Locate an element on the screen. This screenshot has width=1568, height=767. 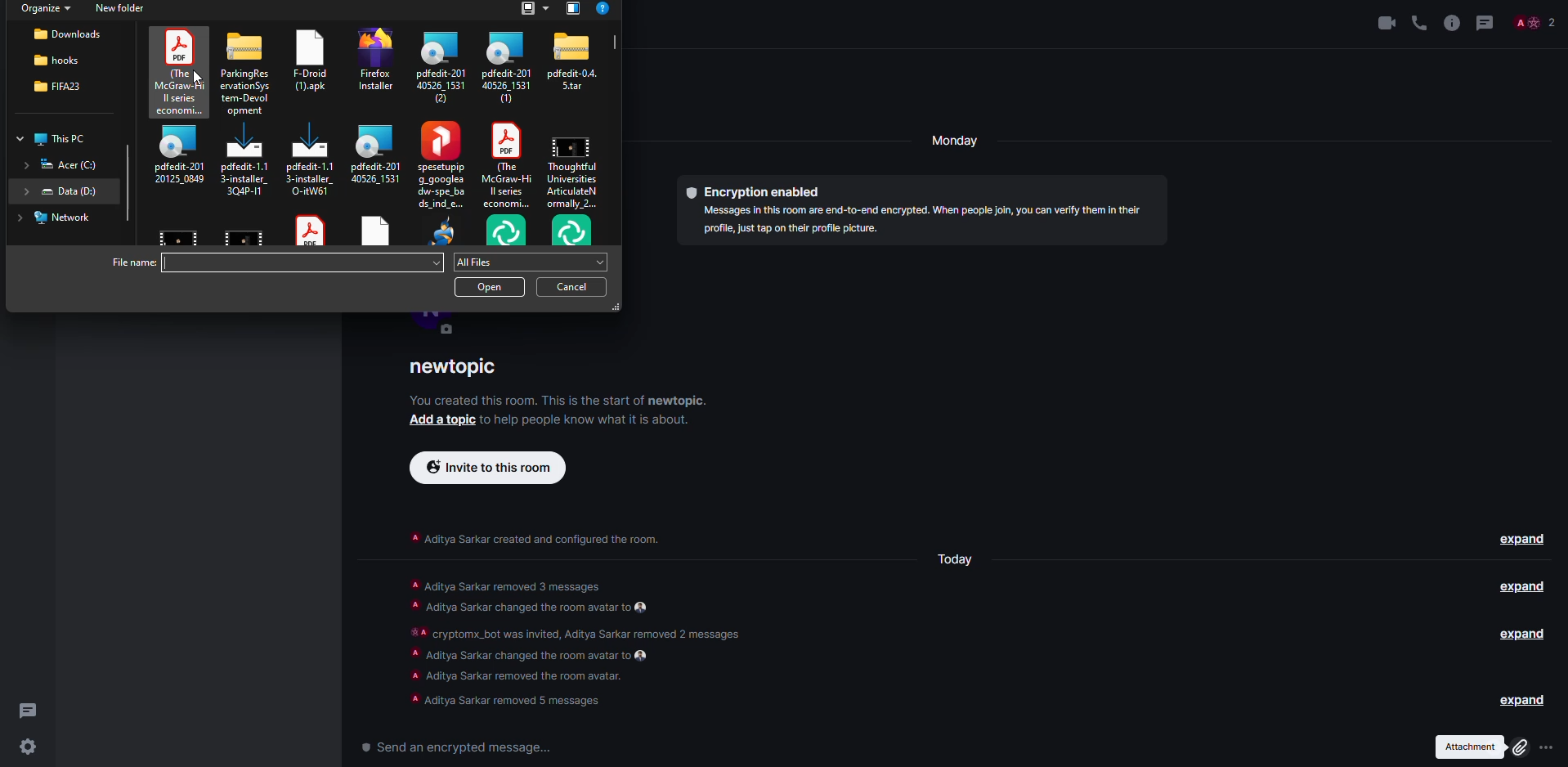
file is located at coordinates (447, 229).